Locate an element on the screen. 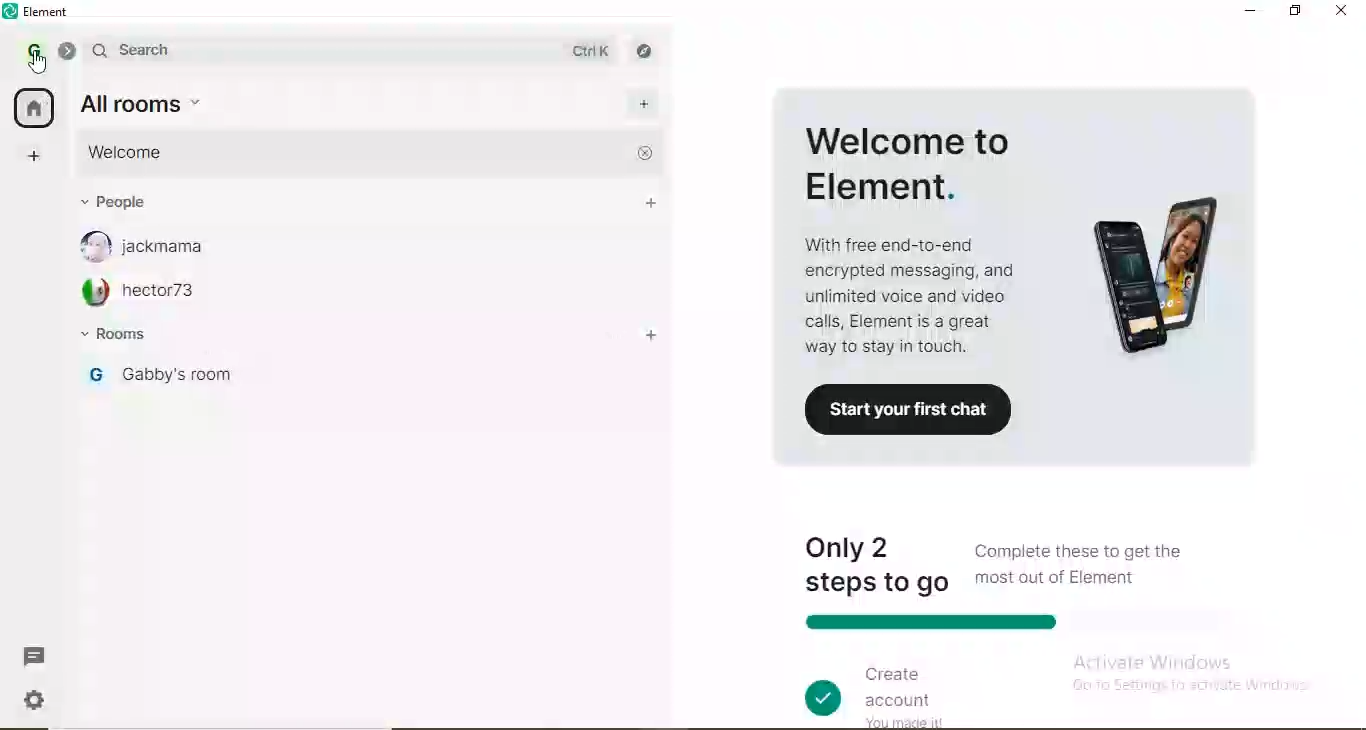  add space is located at coordinates (37, 156).